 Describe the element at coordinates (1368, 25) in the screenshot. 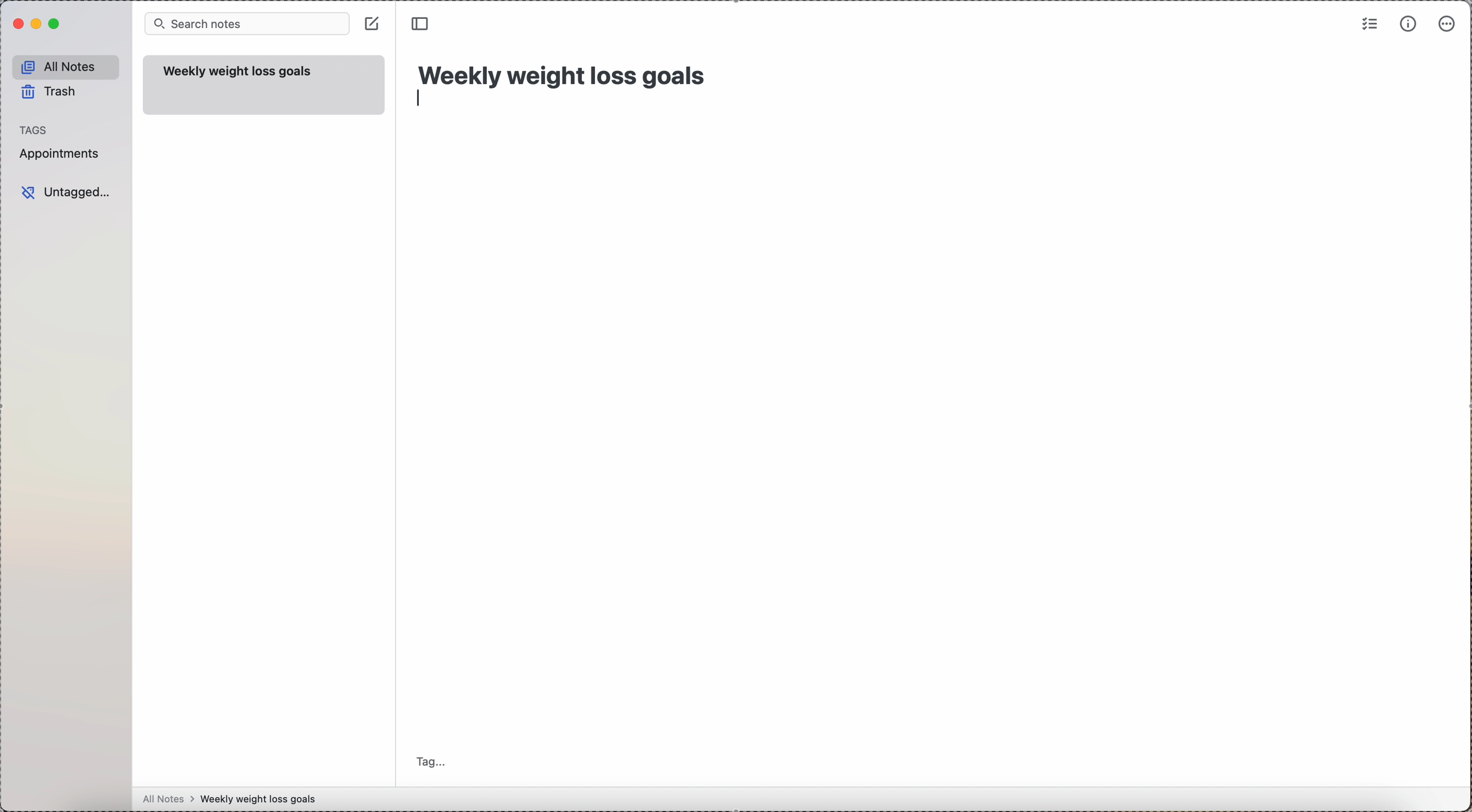

I see `check list` at that location.